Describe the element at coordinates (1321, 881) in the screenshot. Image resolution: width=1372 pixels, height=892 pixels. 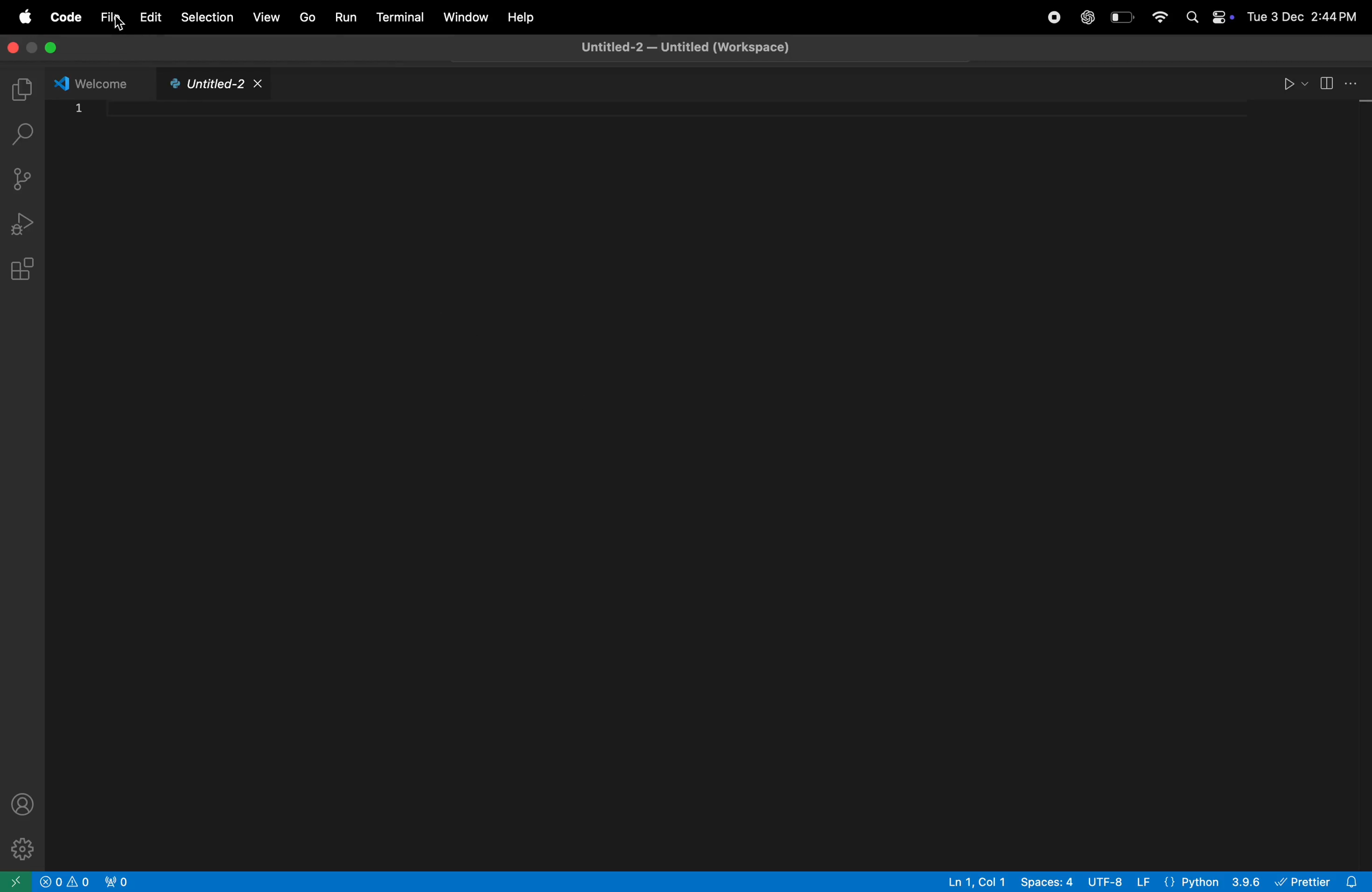
I see `prettier extensions` at that location.